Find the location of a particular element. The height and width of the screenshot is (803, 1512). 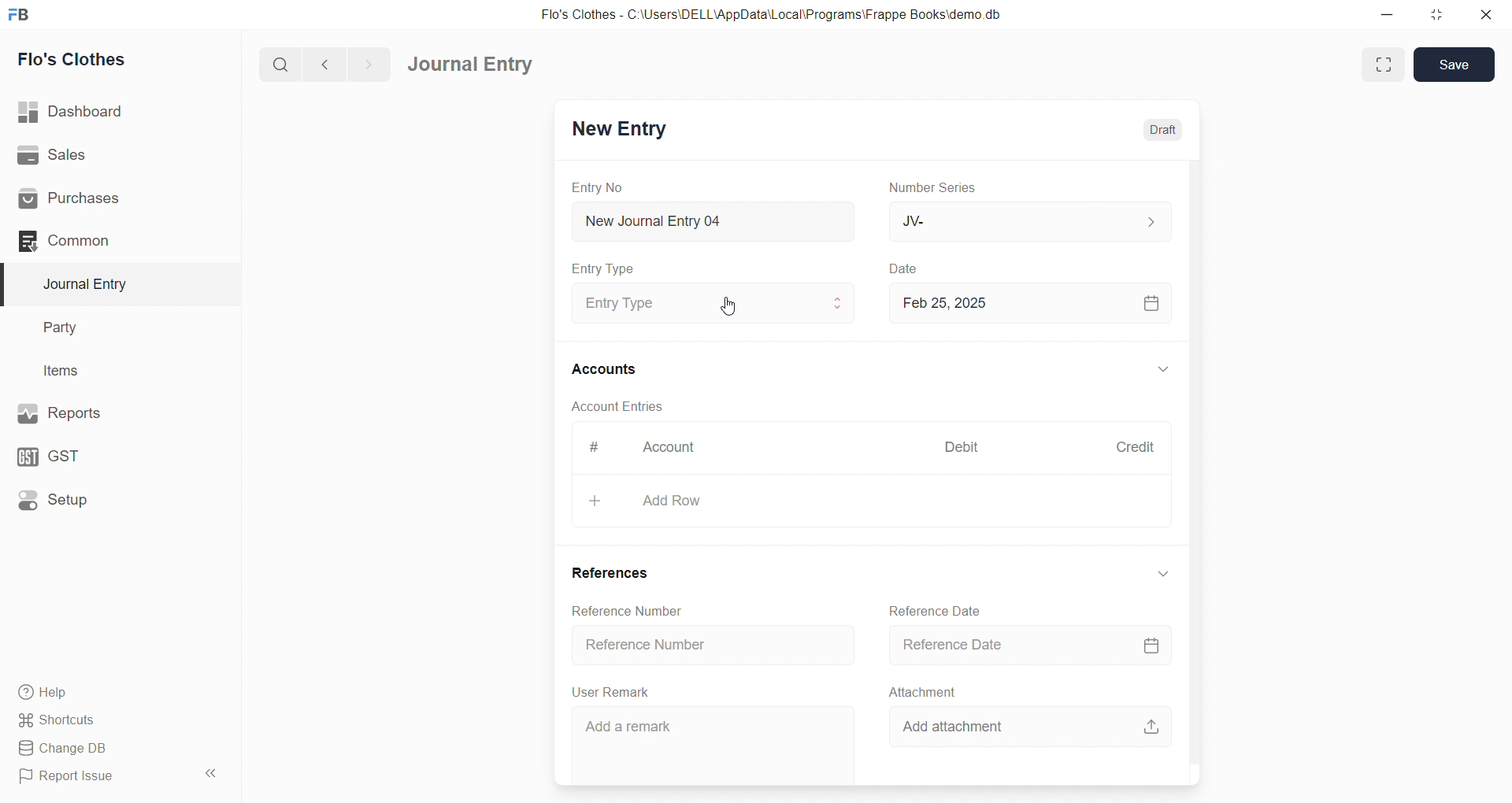

close is located at coordinates (1485, 14).